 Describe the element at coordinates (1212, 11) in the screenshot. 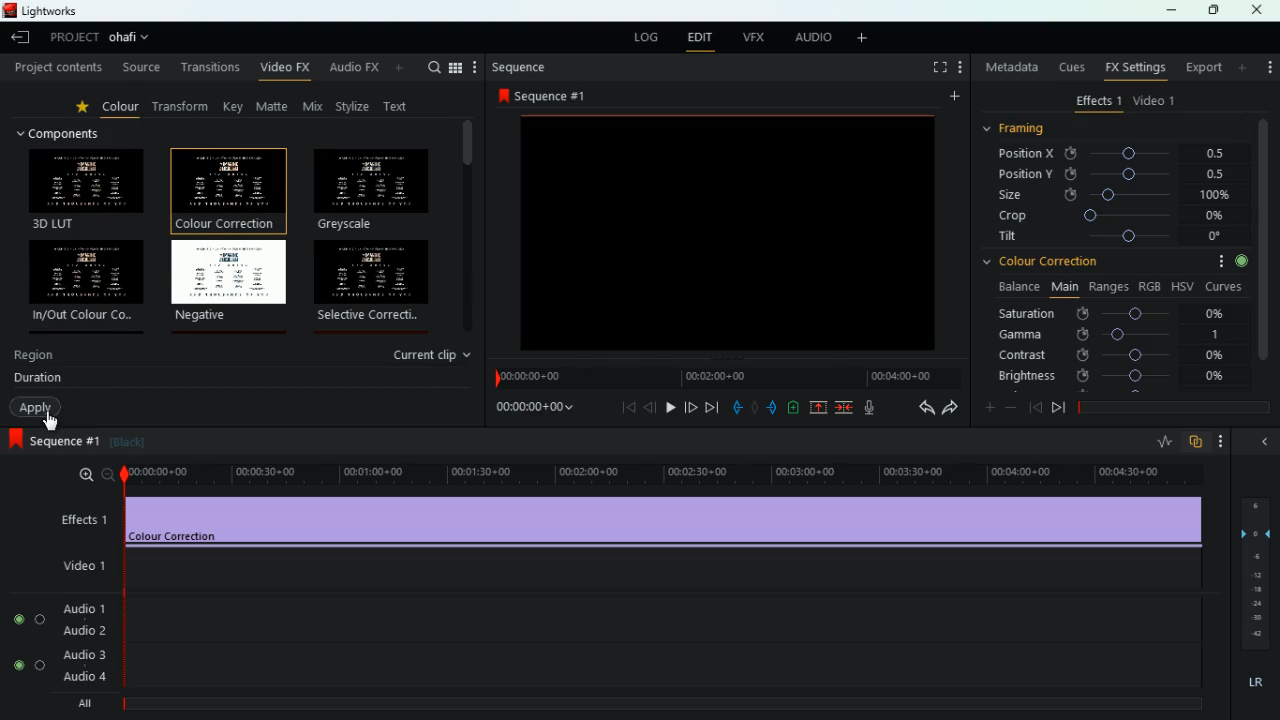

I see `maximize` at that location.